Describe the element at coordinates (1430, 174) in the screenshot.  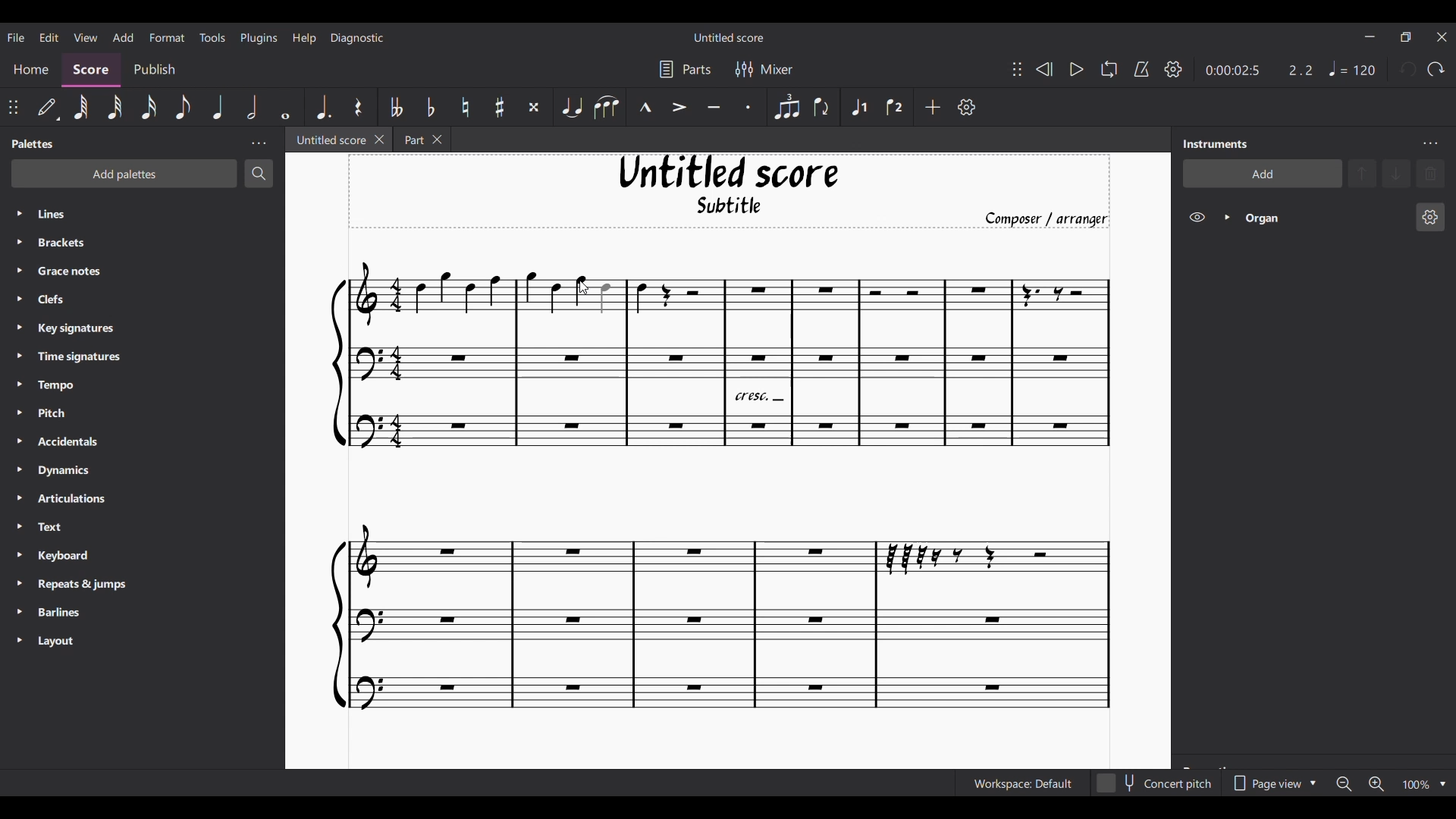
I see `Delete` at that location.